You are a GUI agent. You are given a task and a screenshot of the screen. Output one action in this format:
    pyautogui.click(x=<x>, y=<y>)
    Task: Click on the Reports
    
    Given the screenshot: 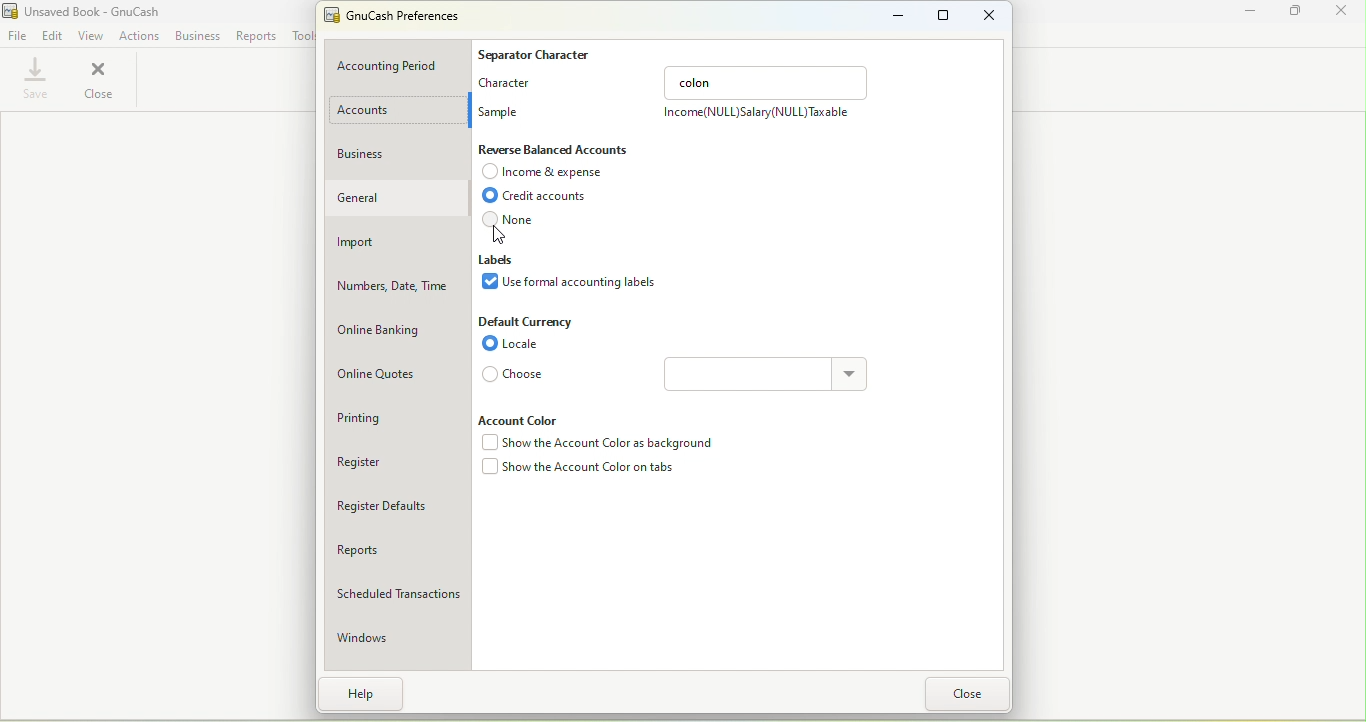 What is the action you would take?
    pyautogui.click(x=255, y=35)
    